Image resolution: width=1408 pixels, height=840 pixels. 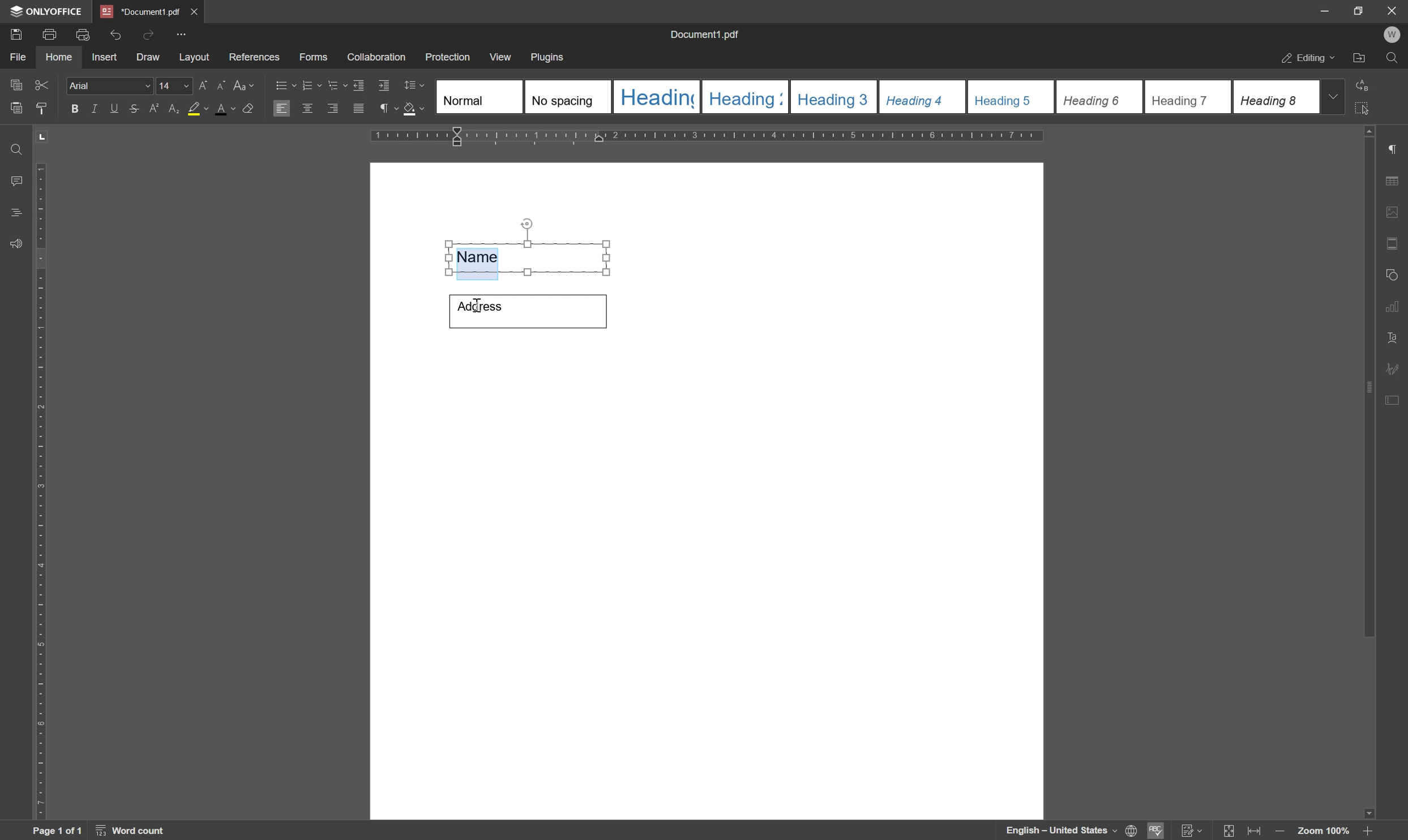 What do you see at coordinates (219, 87) in the screenshot?
I see `decrement font size` at bounding box center [219, 87].